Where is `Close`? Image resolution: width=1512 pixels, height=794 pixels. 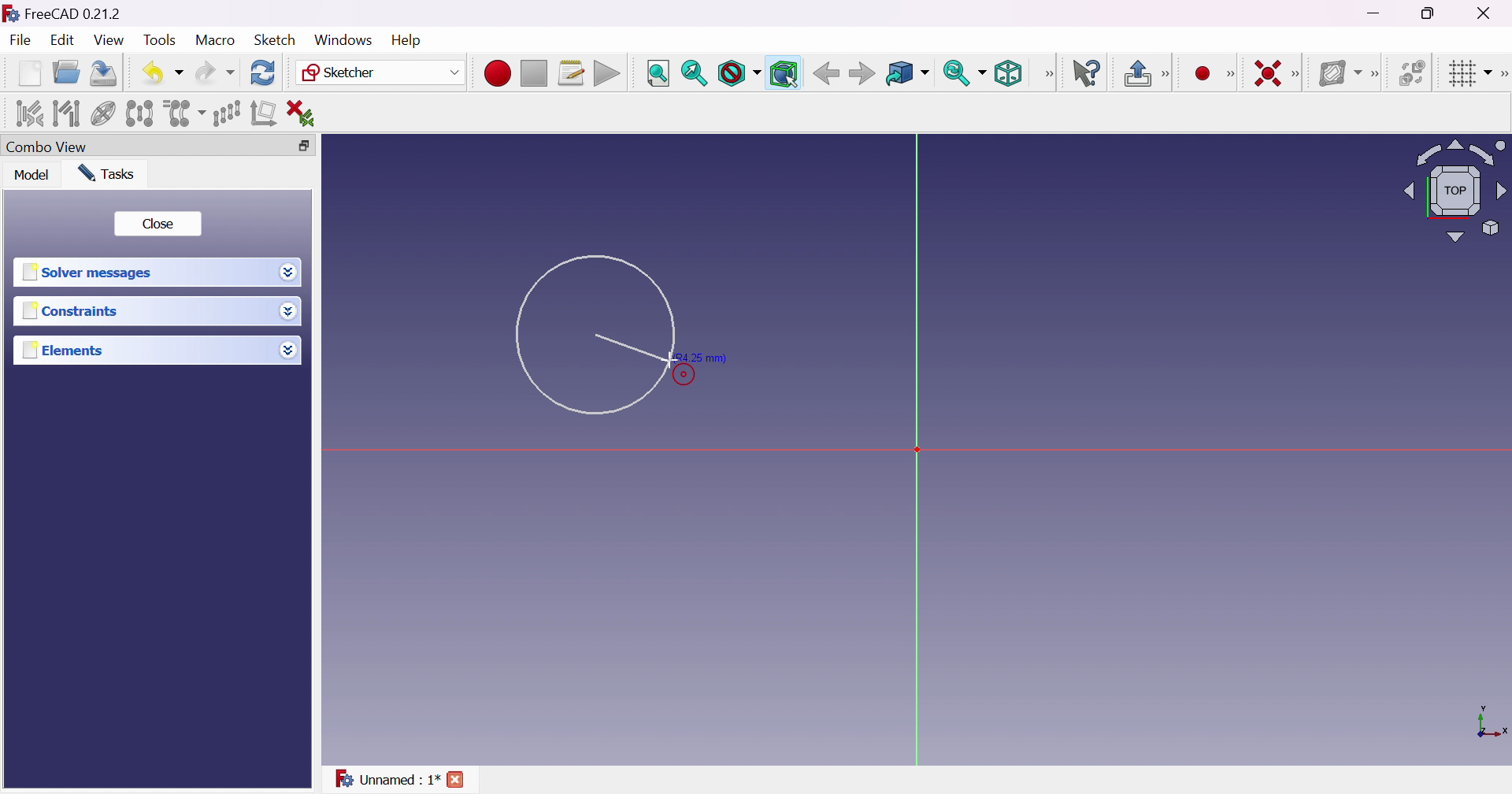 Close is located at coordinates (457, 778).